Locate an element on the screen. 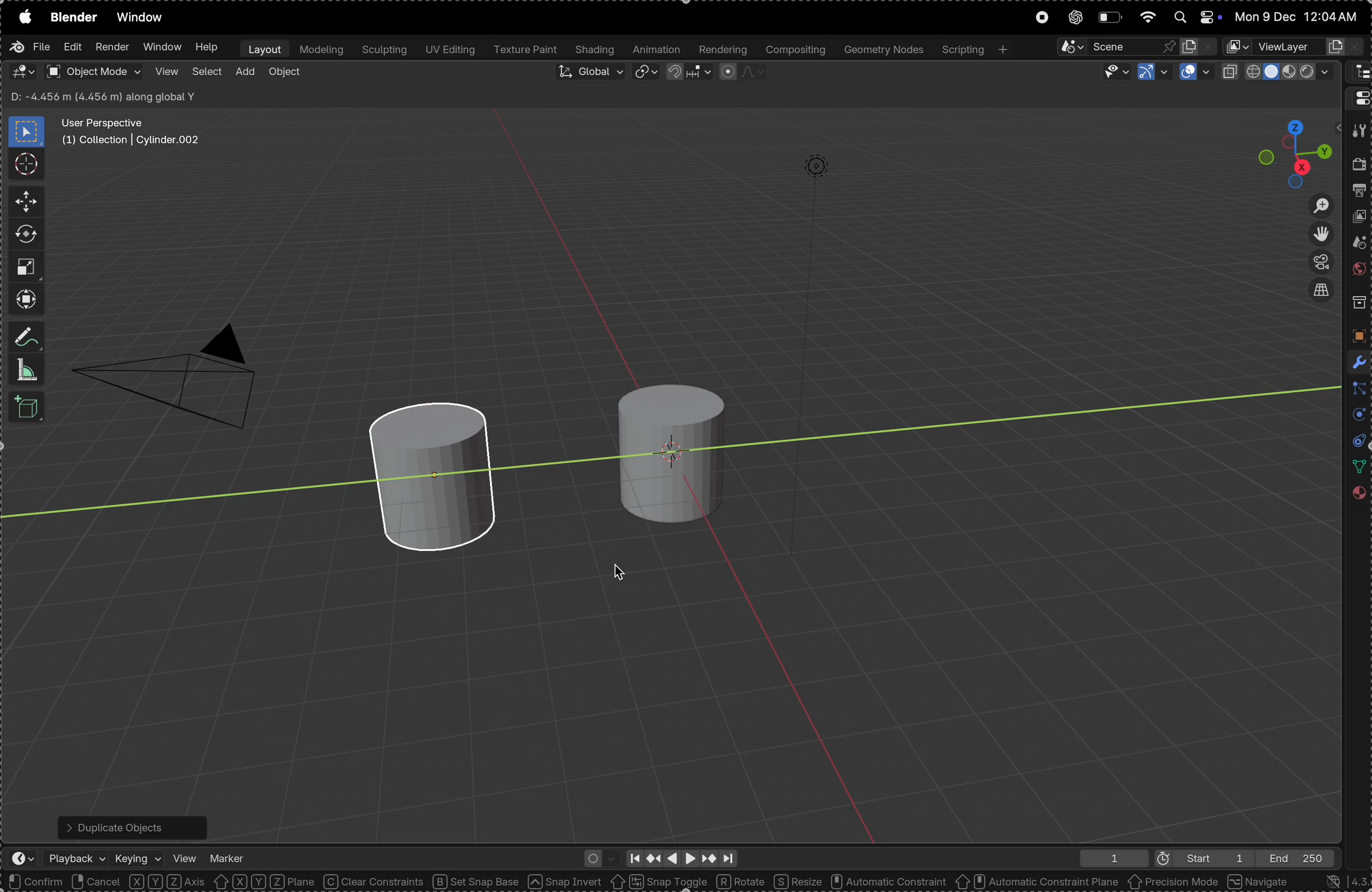 The image size is (1372, 892). shading is located at coordinates (595, 50).